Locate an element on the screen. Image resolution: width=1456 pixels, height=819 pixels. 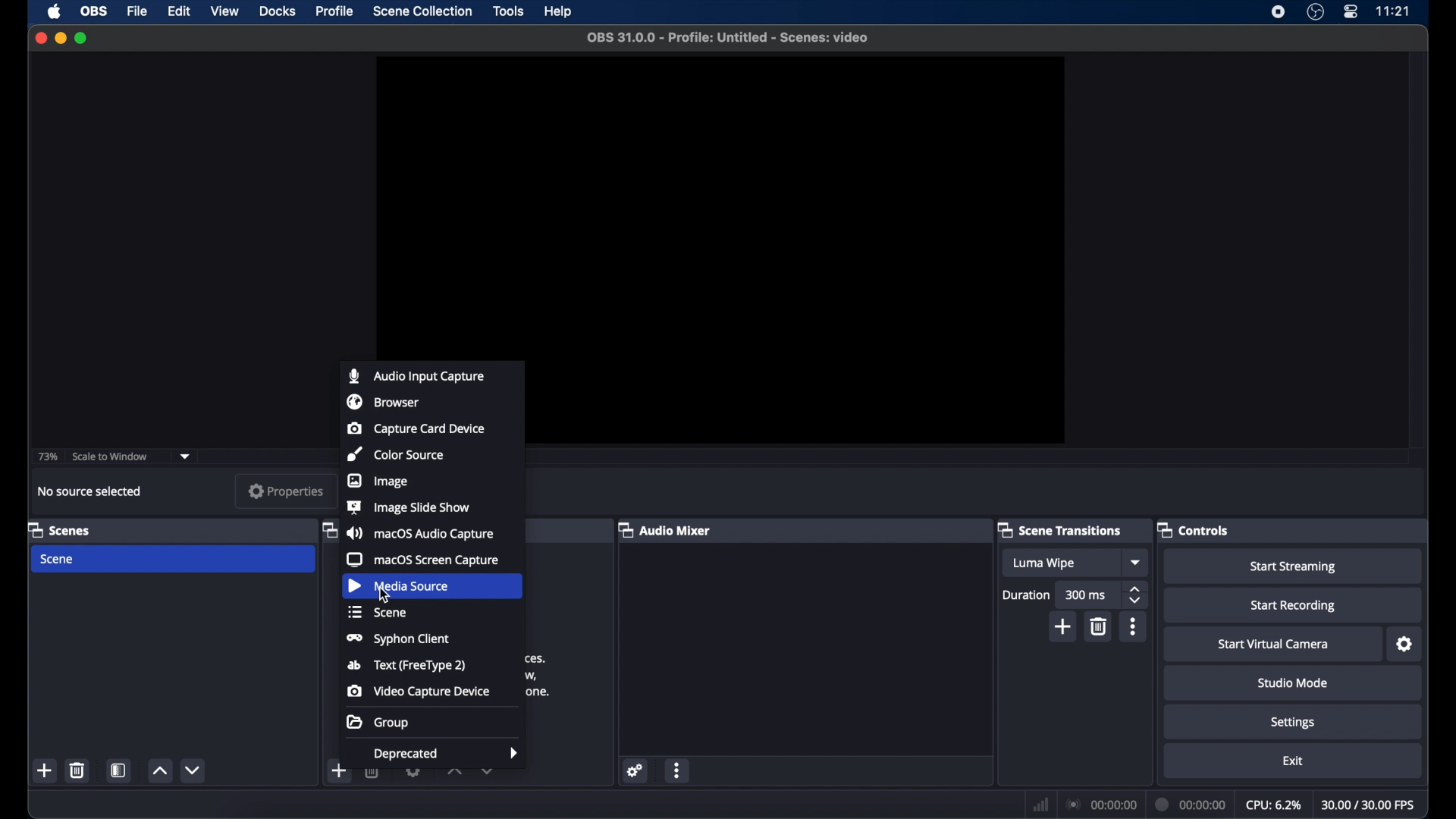
delete is located at coordinates (78, 770).